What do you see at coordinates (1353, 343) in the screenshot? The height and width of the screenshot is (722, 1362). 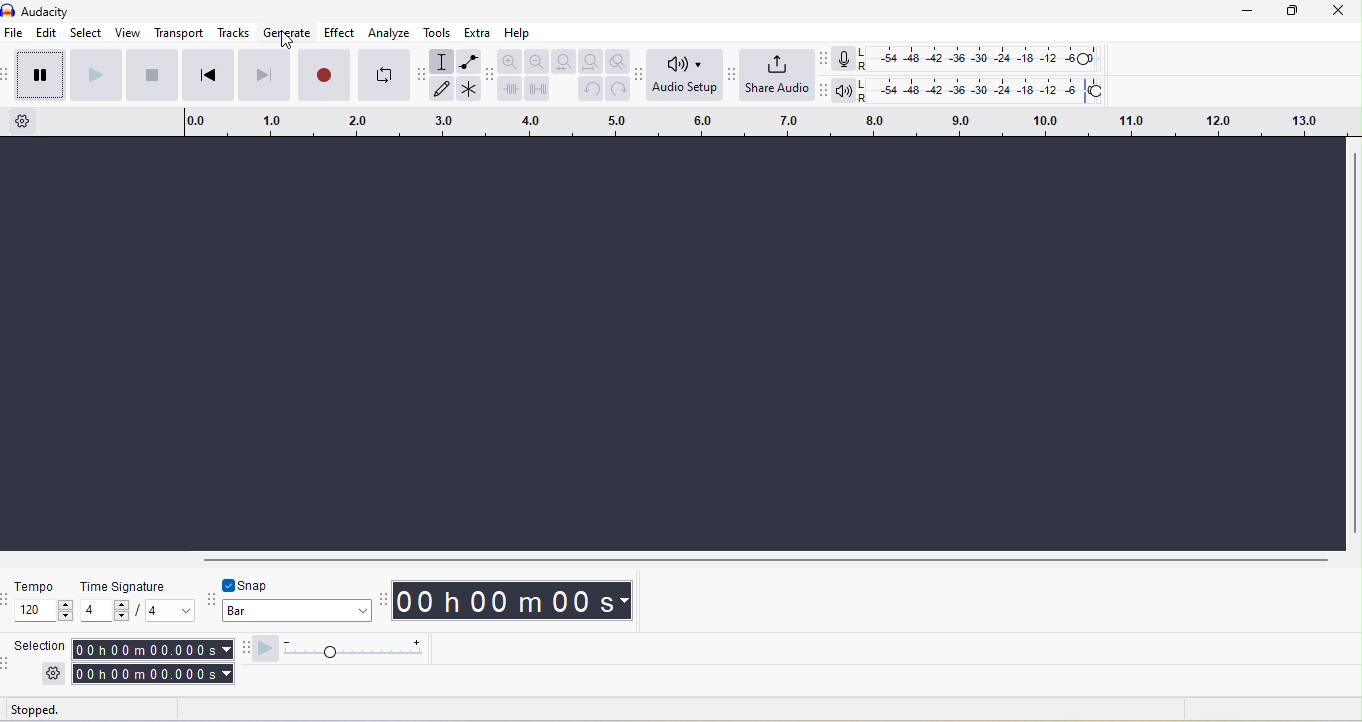 I see `vertical scroll bar` at bounding box center [1353, 343].